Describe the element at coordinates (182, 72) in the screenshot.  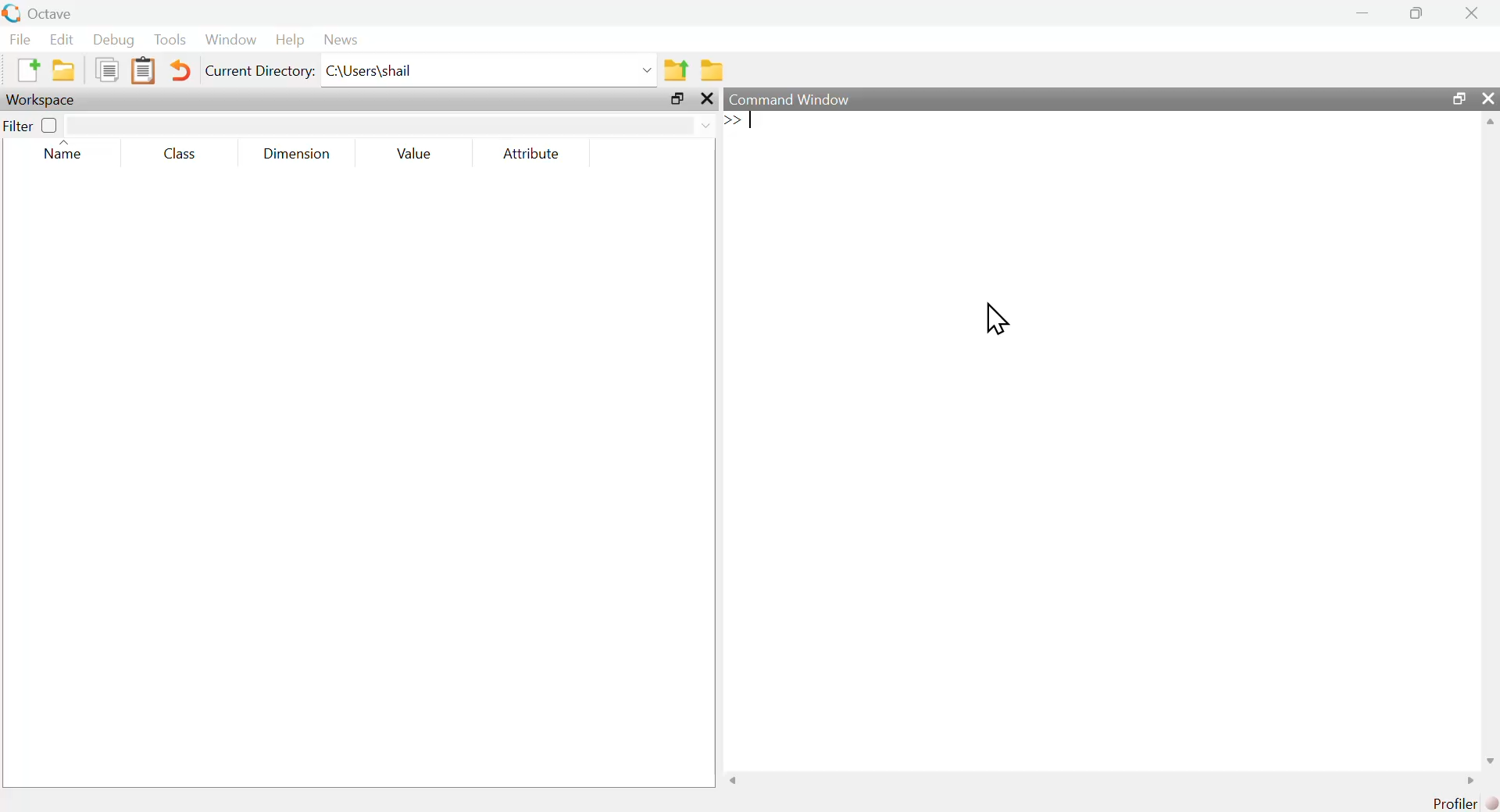
I see `Undo` at that location.